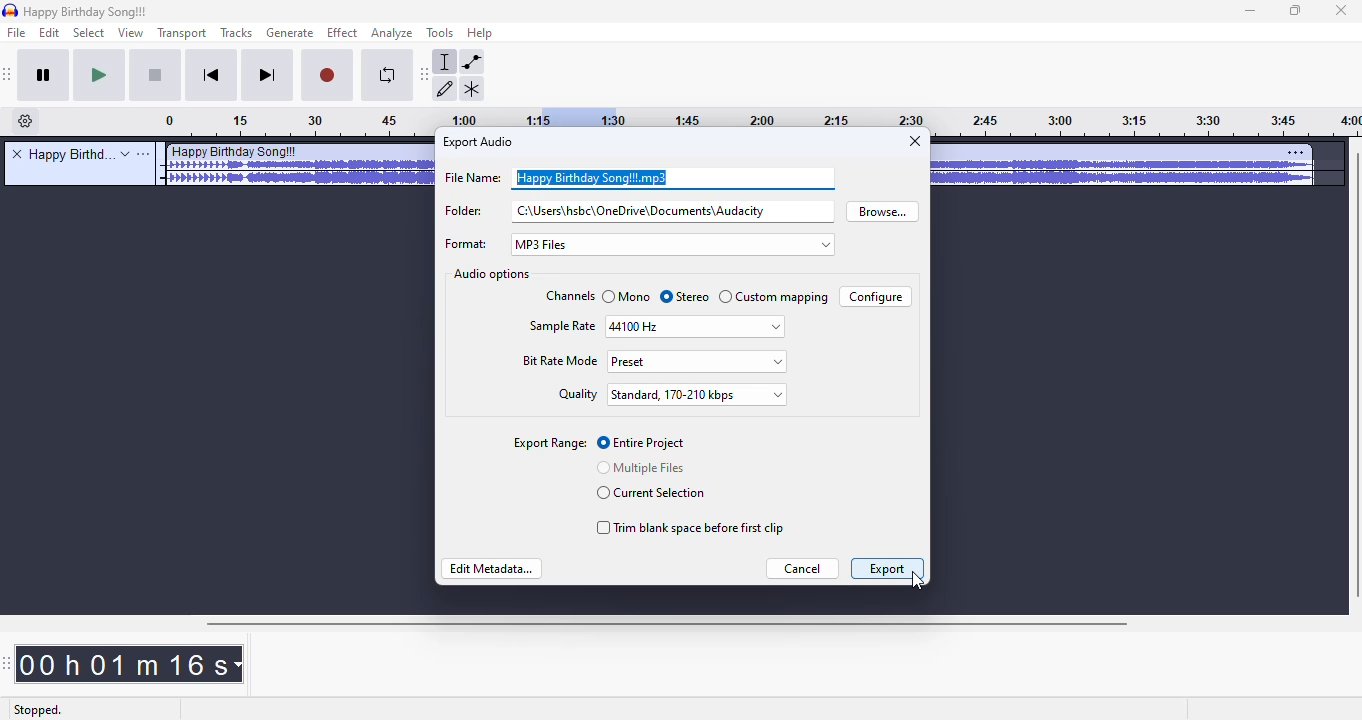 This screenshot has height=720, width=1362. What do you see at coordinates (384, 77) in the screenshot?
I see `enable looping` at bounding box center [384, 77].